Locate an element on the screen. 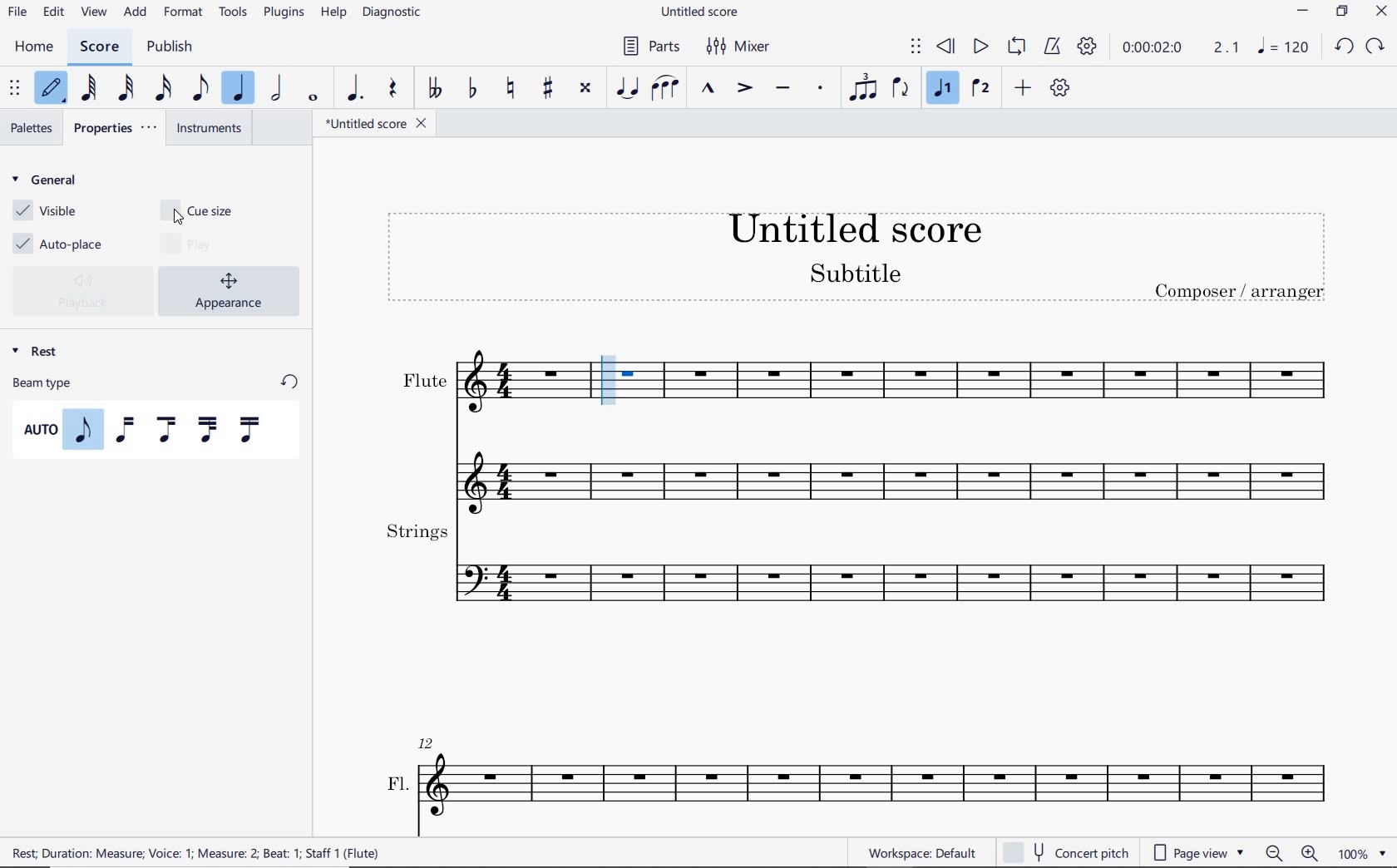  HALF NOTE is located at coordinates (279, 89).